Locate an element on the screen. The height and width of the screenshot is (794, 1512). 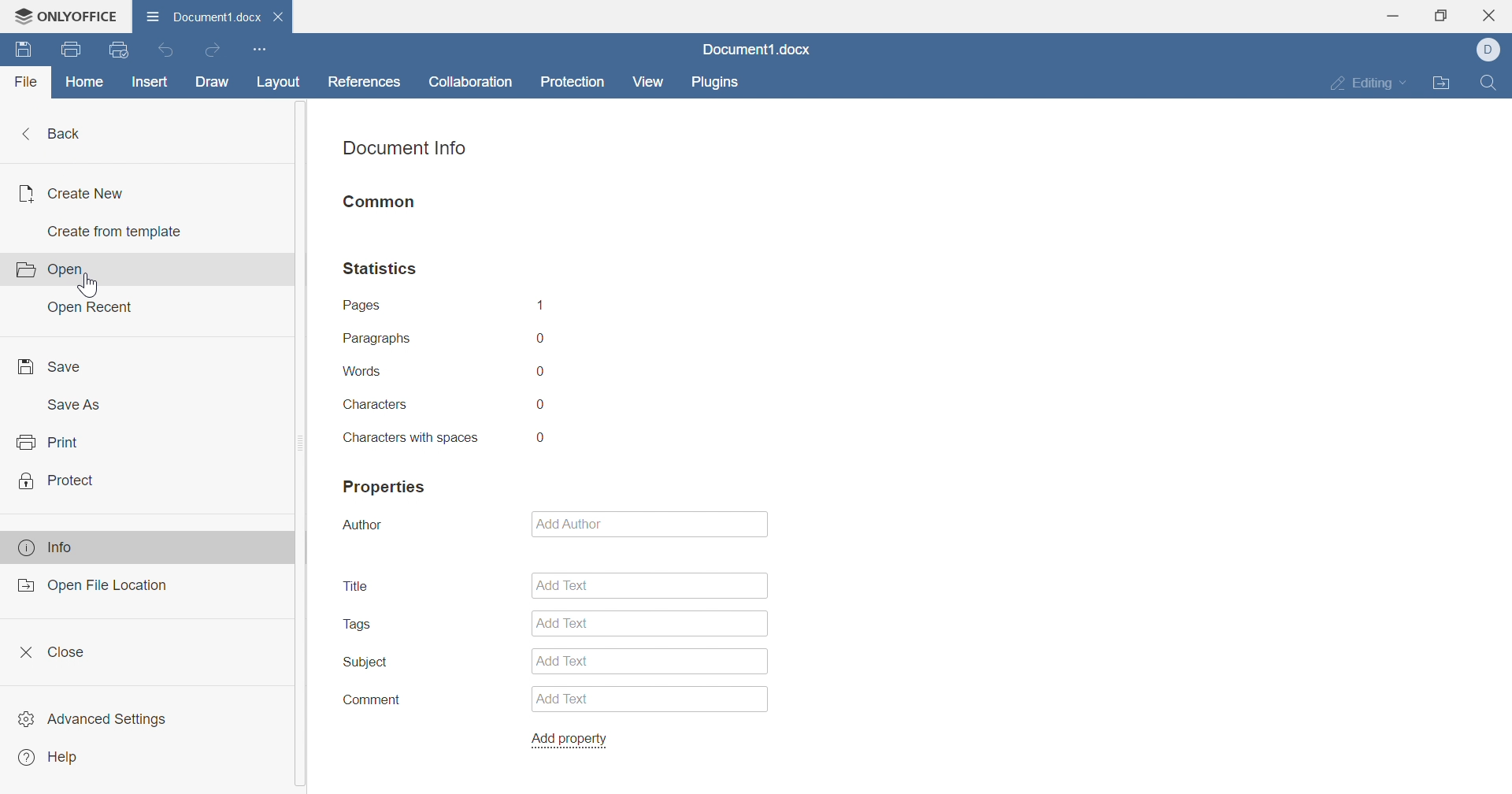
comment is located at coordinates (373, 699).